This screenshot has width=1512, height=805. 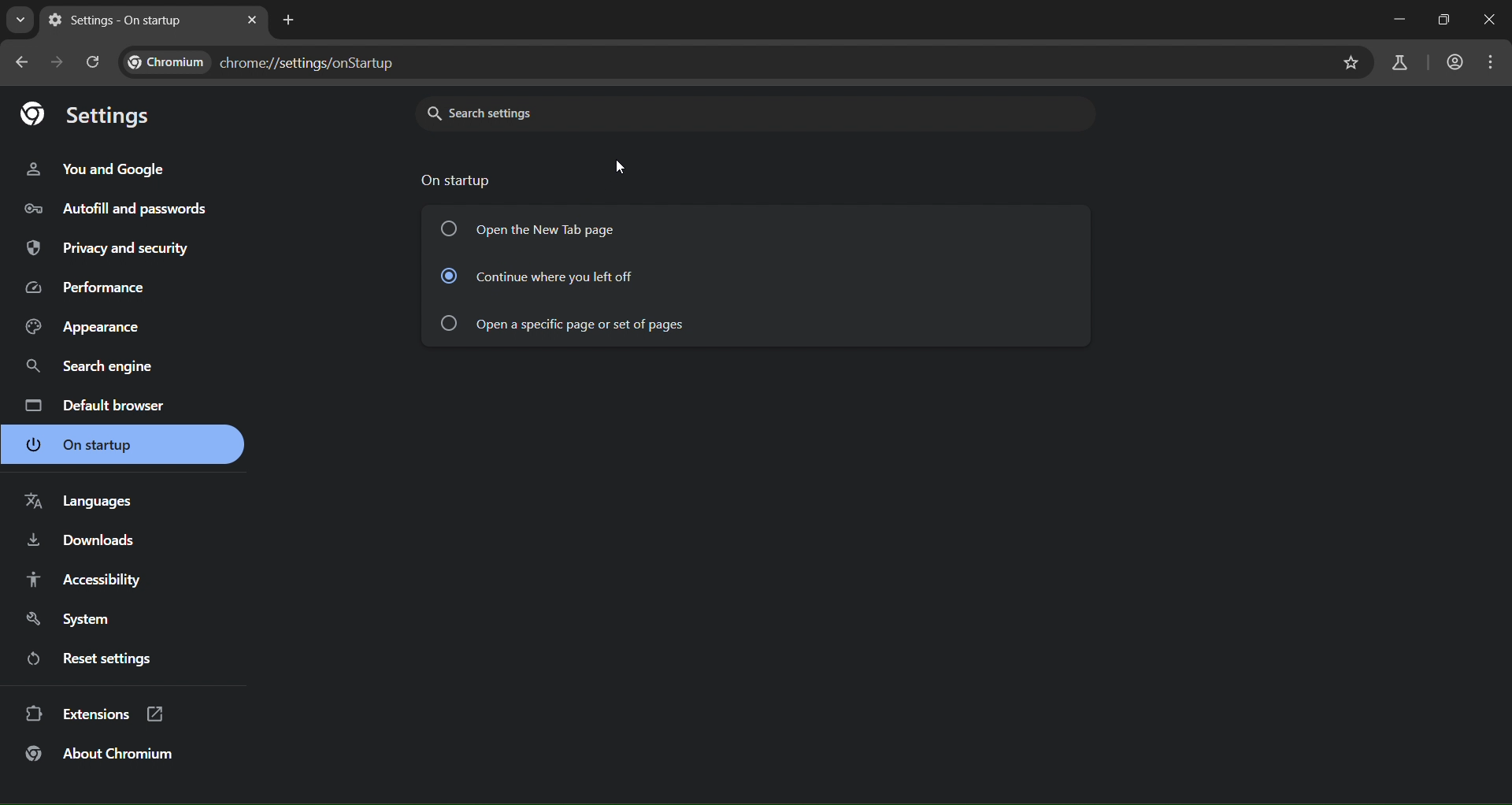 I want to click on close tab, so click(x=254, y=20).